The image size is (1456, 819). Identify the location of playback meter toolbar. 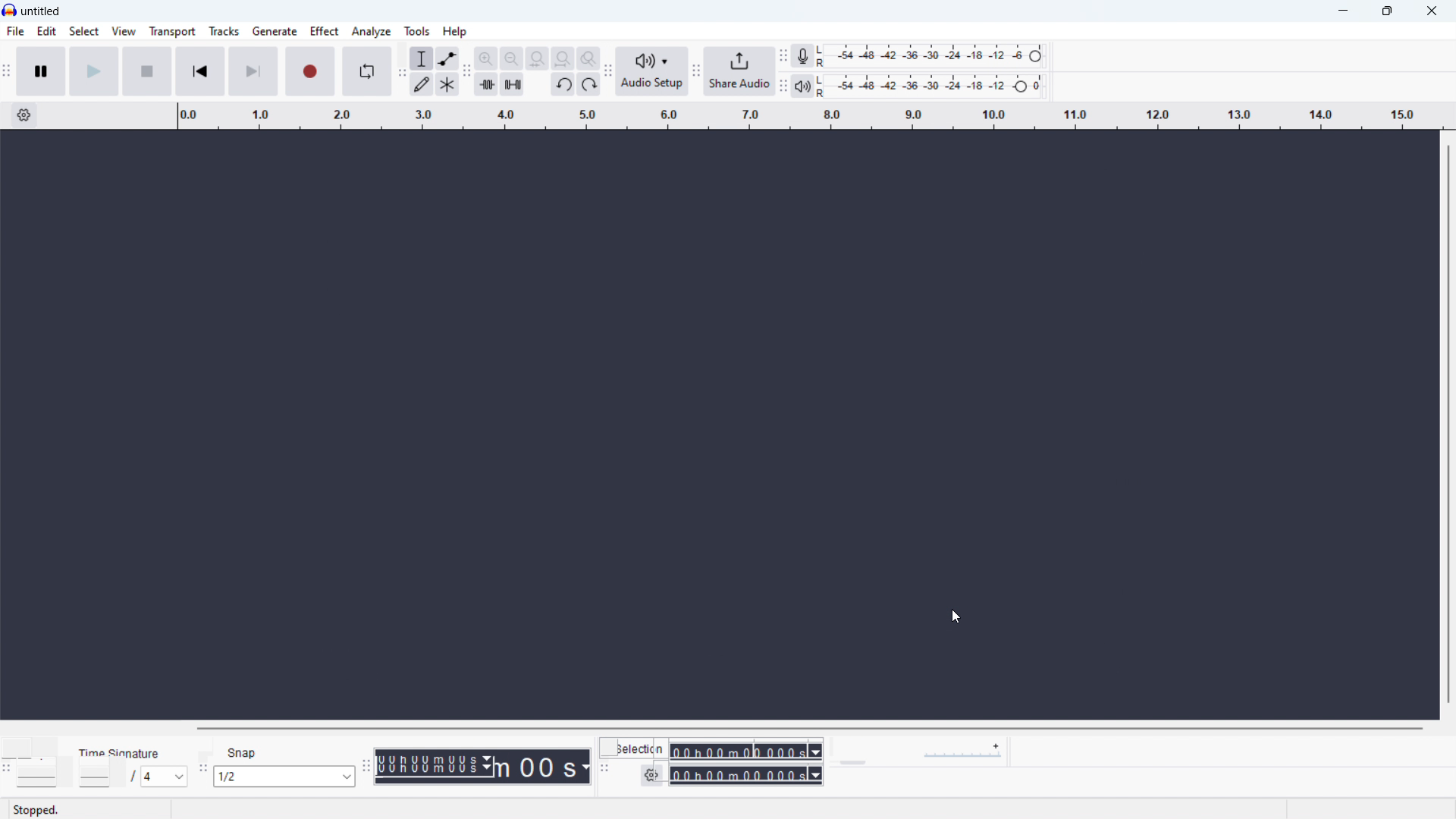
(802, 86).